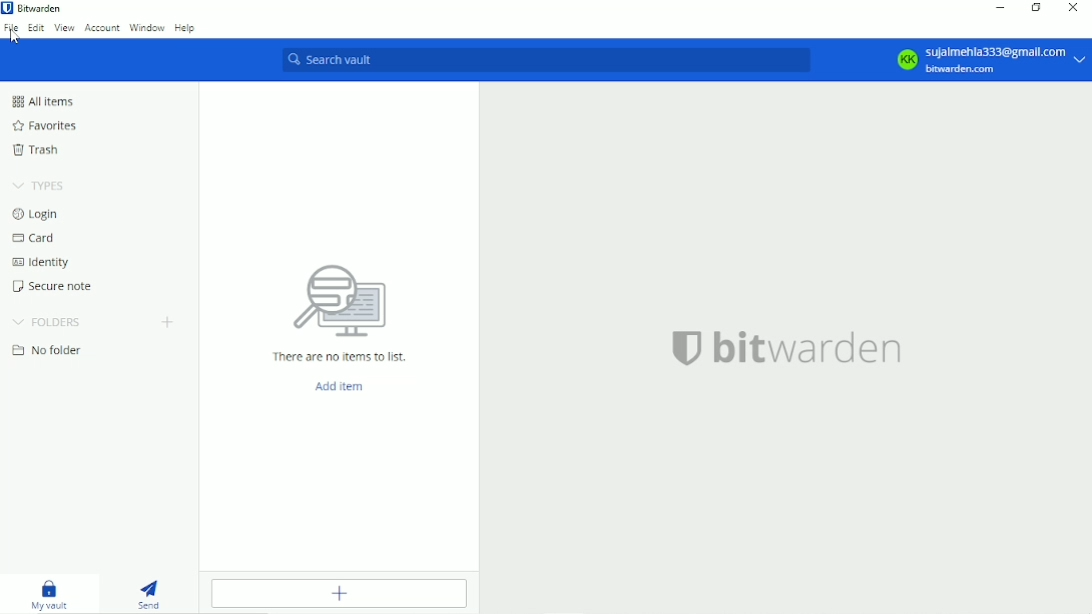  What do you see at coordinates (152, 592) in the screenshot?
I see `Send` at bounding box center [152, 592].